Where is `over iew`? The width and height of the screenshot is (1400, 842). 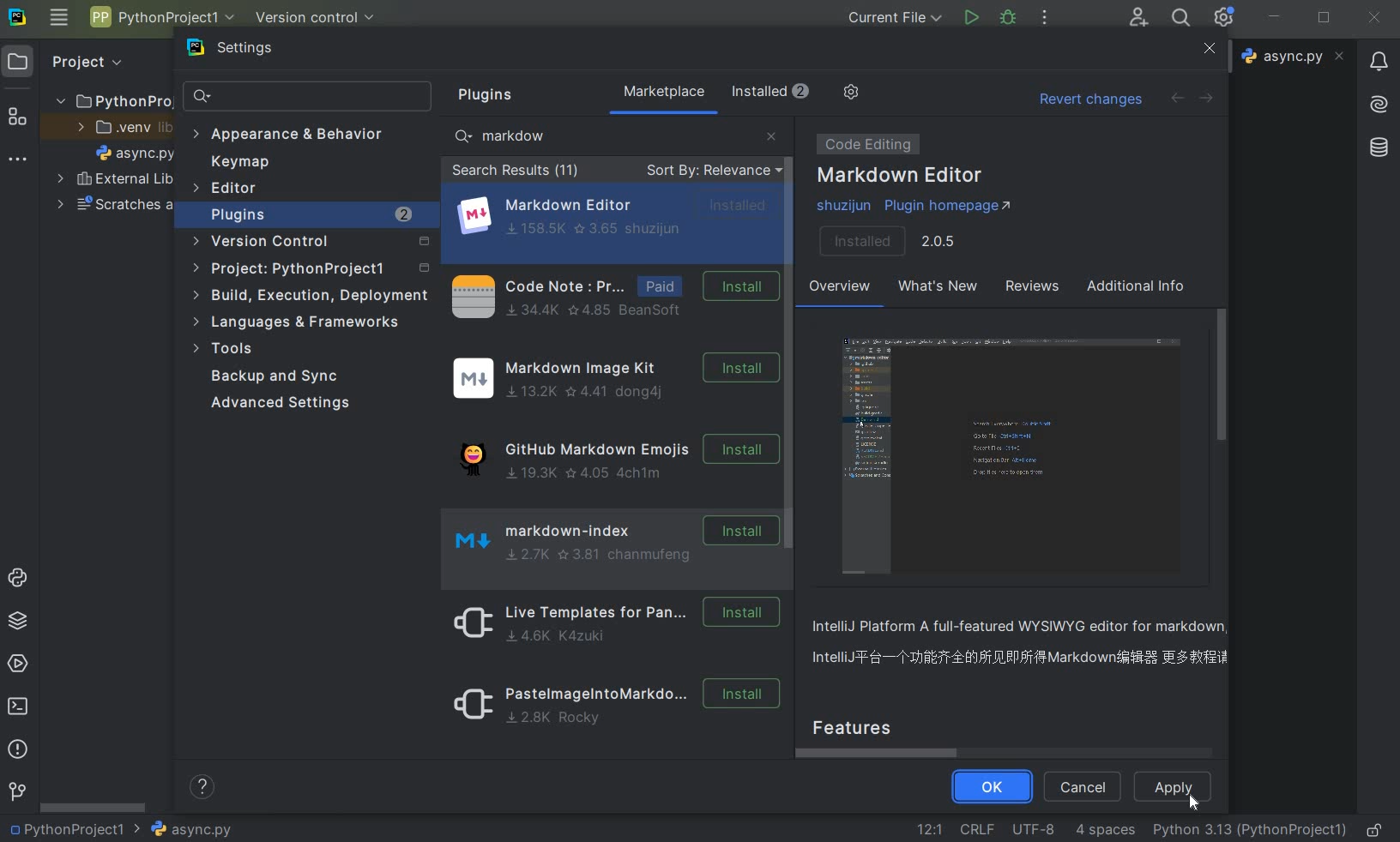
over iew is located at coordinates (842, 289).